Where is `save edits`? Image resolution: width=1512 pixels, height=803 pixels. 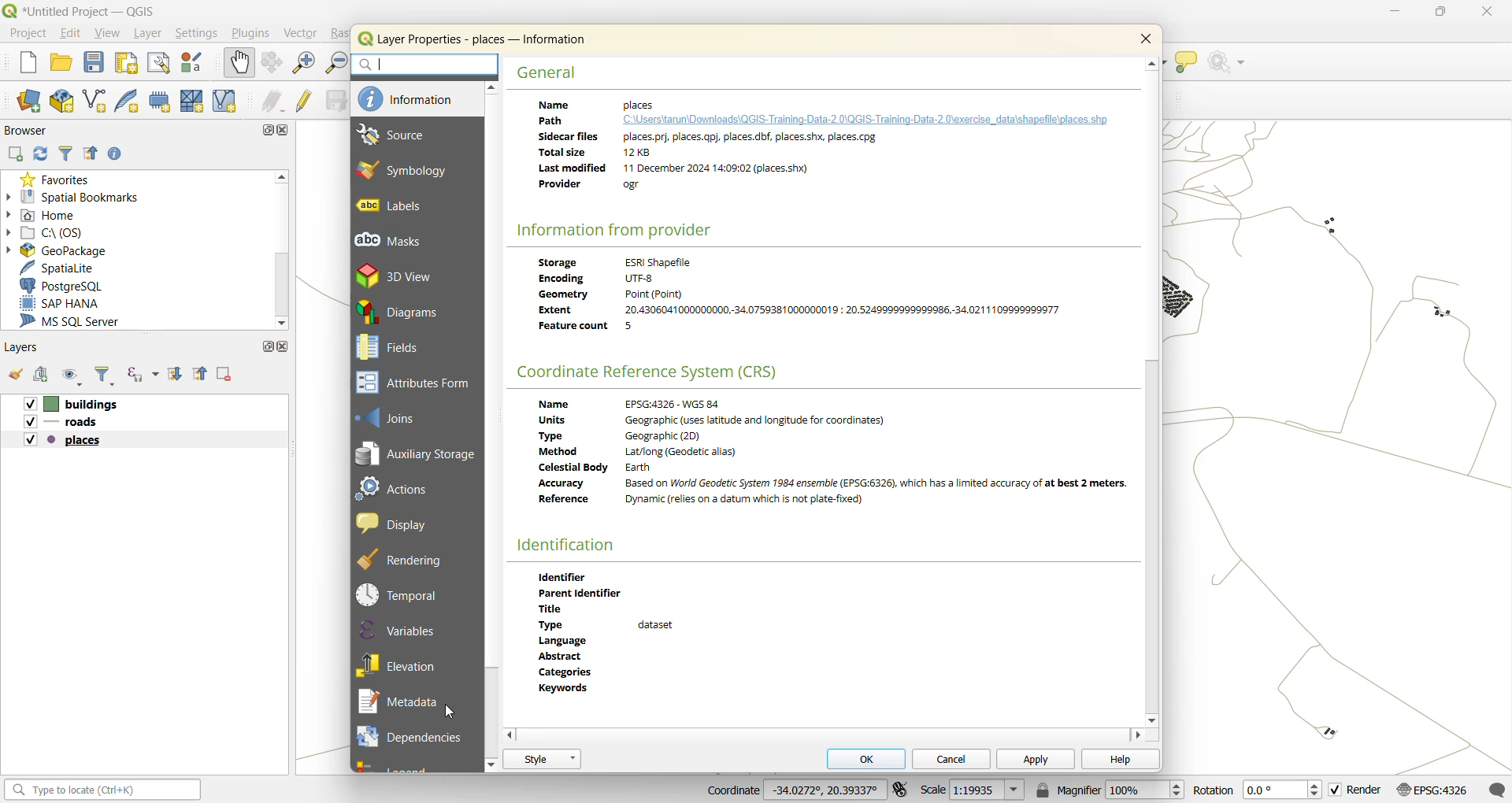
save edits is located at coordinates (331, 101).